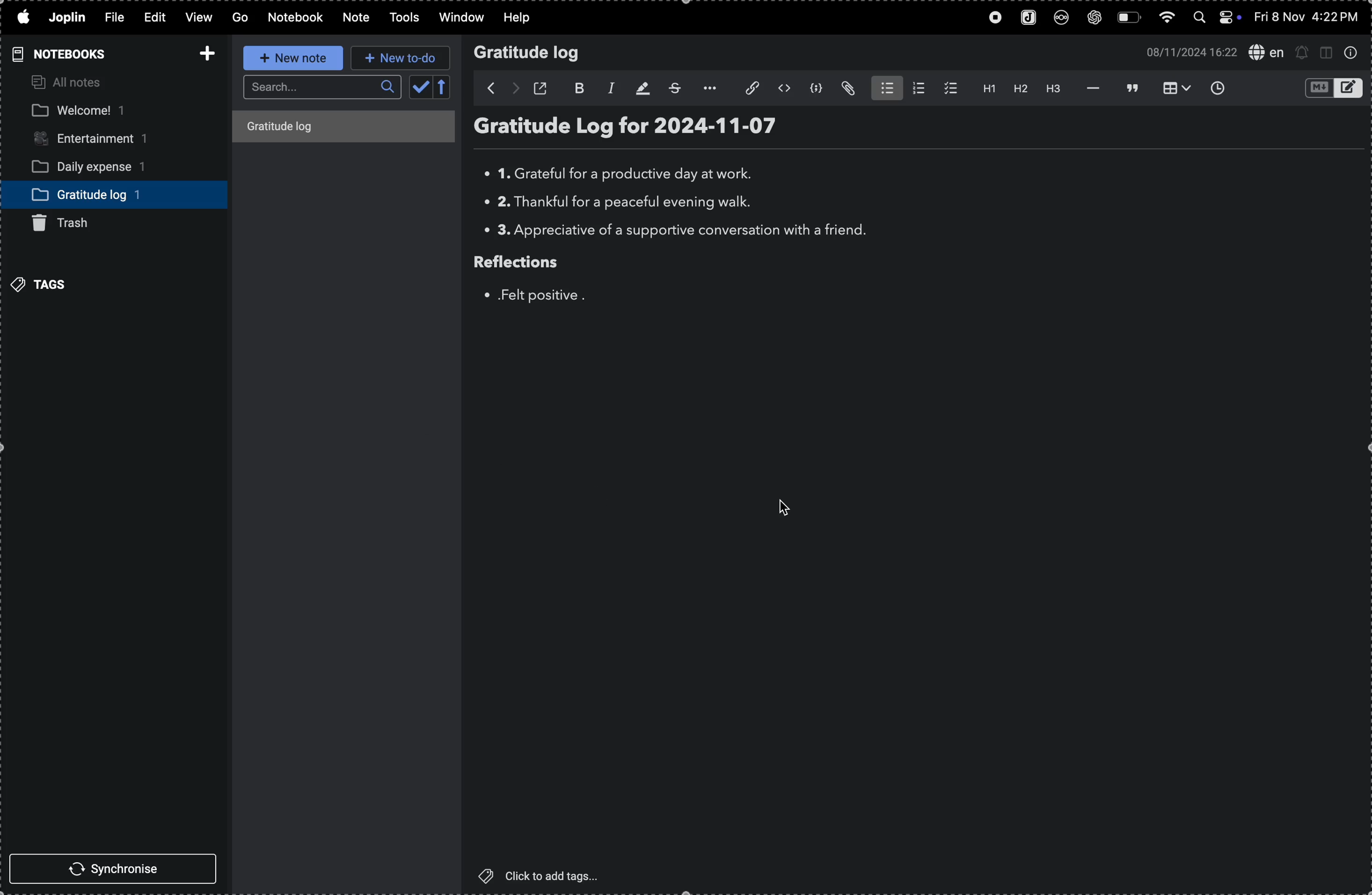 This screenshot has width=1372, height=895. What do you see at coordinates (1305, 17) in the screenshot?
I see `date and time` at bounding box center [1305, 17].